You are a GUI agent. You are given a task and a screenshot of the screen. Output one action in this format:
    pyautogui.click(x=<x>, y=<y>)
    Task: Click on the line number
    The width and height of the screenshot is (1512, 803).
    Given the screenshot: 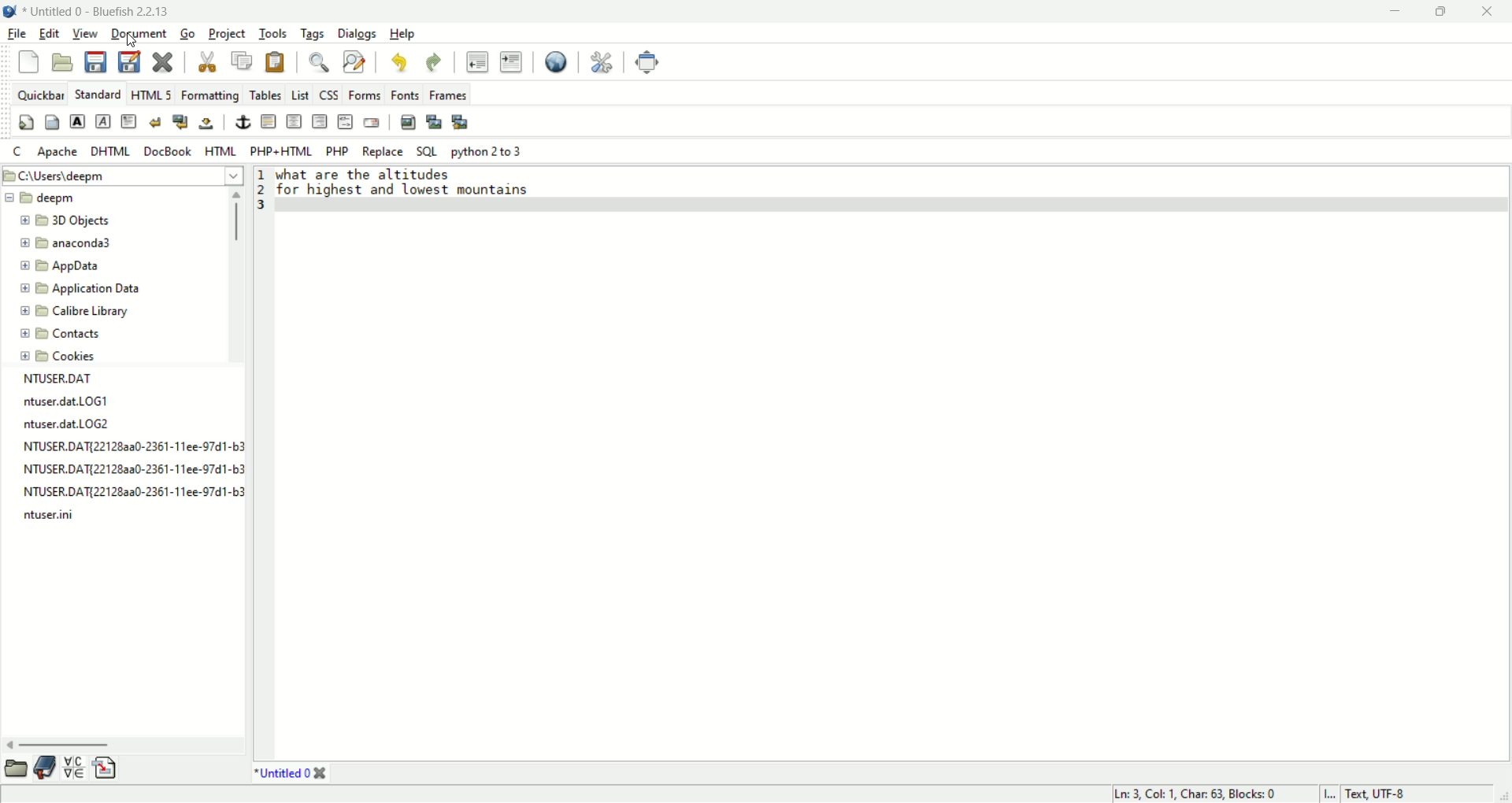 What is the action you would take?
    pyautogui.click(x=263, y=194)
    